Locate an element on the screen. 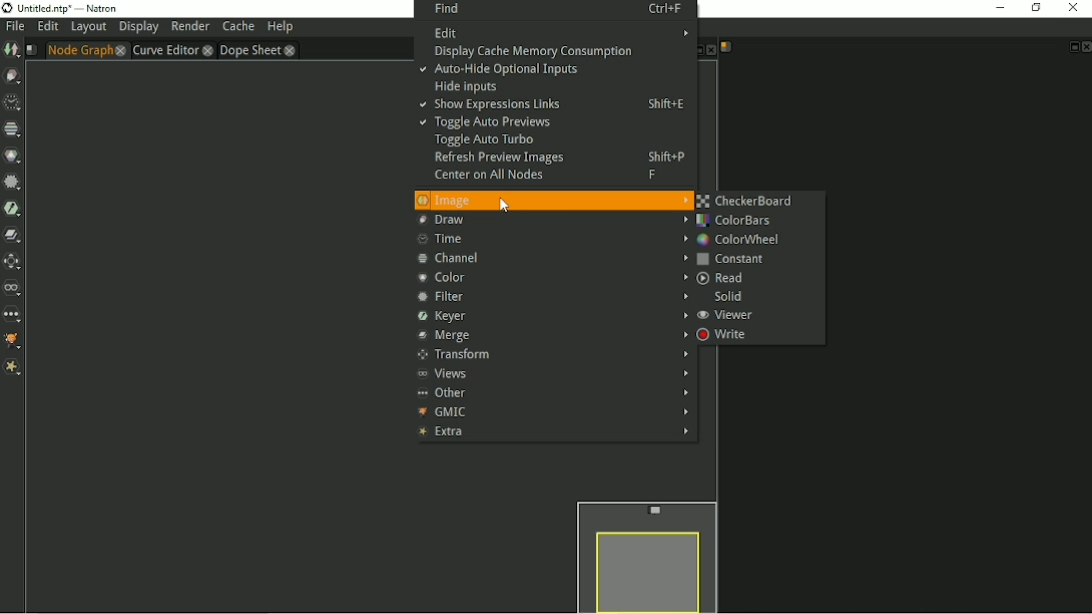  Filter  is located at coordinates (551, 297).